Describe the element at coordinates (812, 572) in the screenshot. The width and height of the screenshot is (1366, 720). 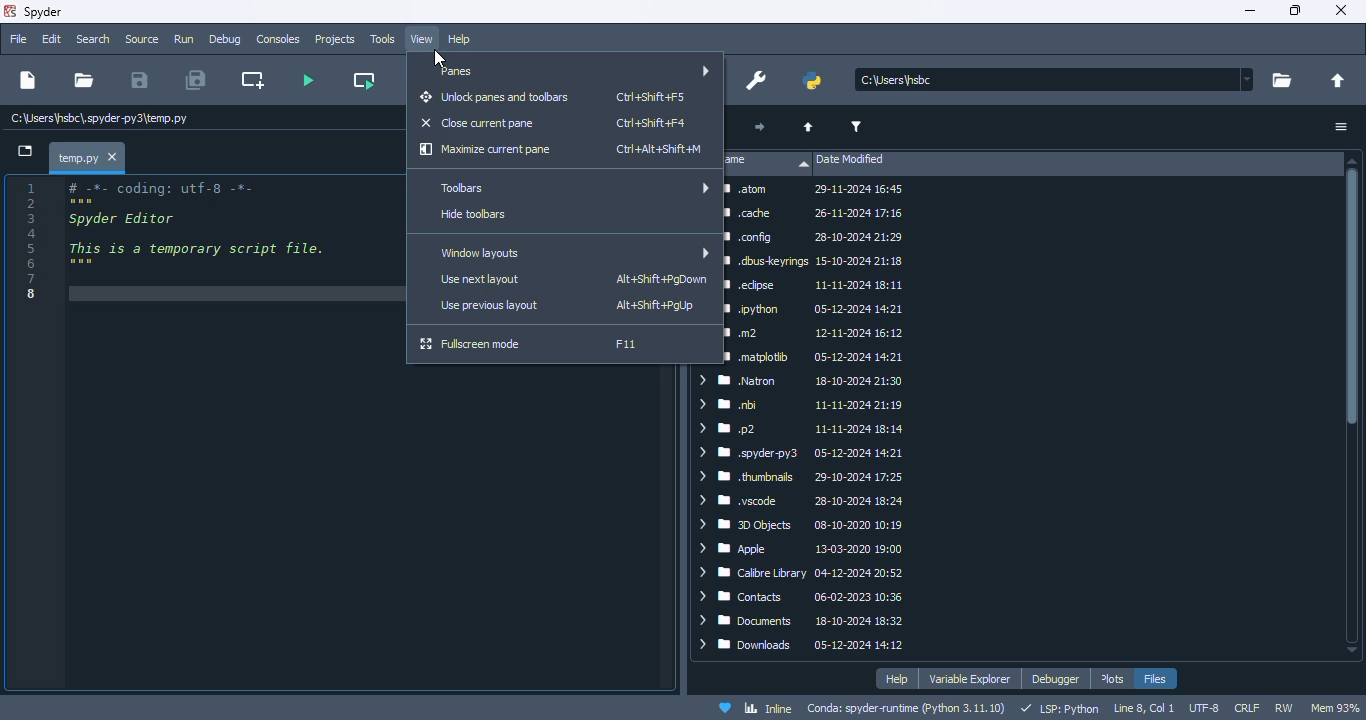
I see `Calibre Library` at that location.